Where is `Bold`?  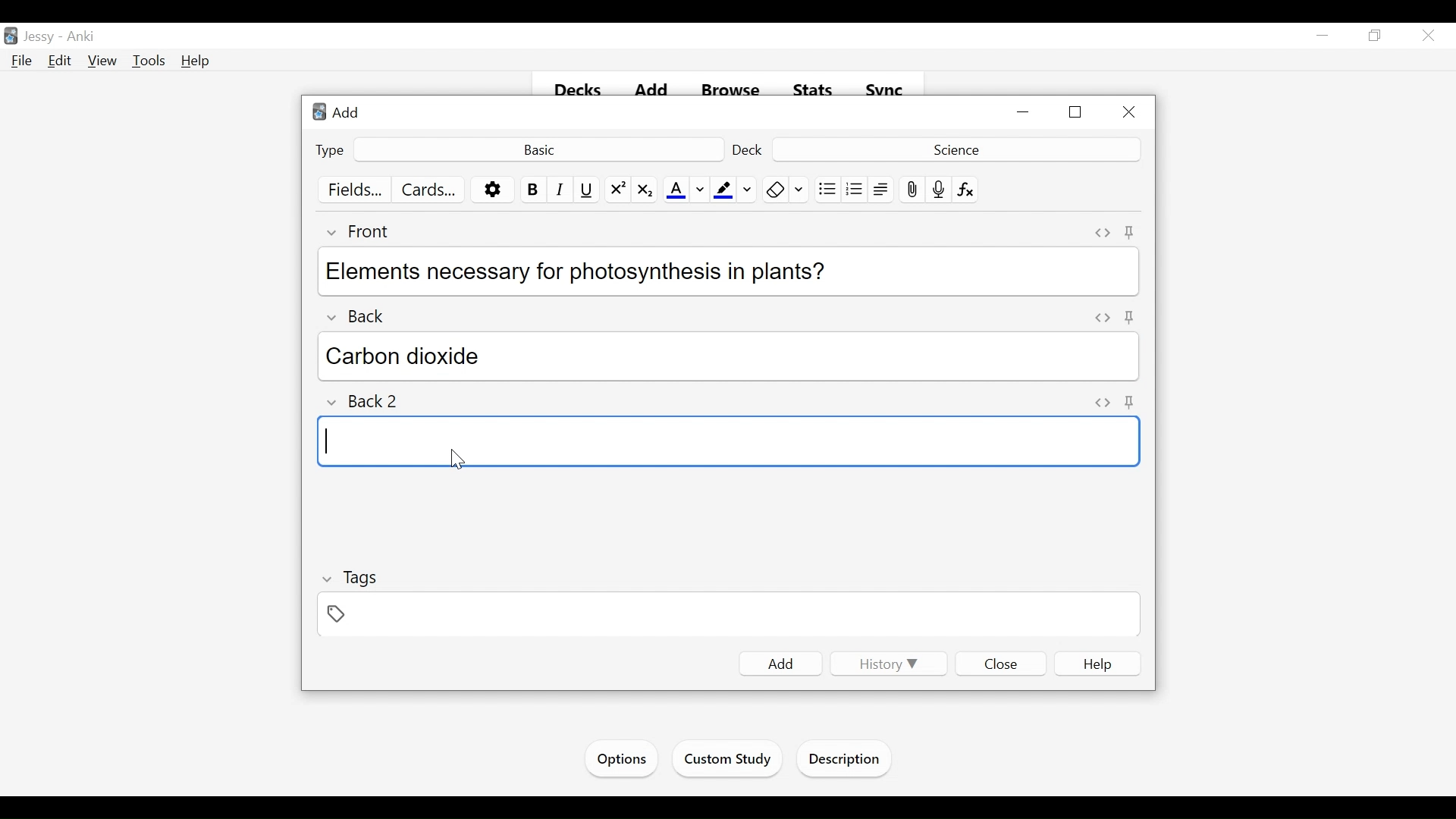 Bold is located at coordinates (532, 190).